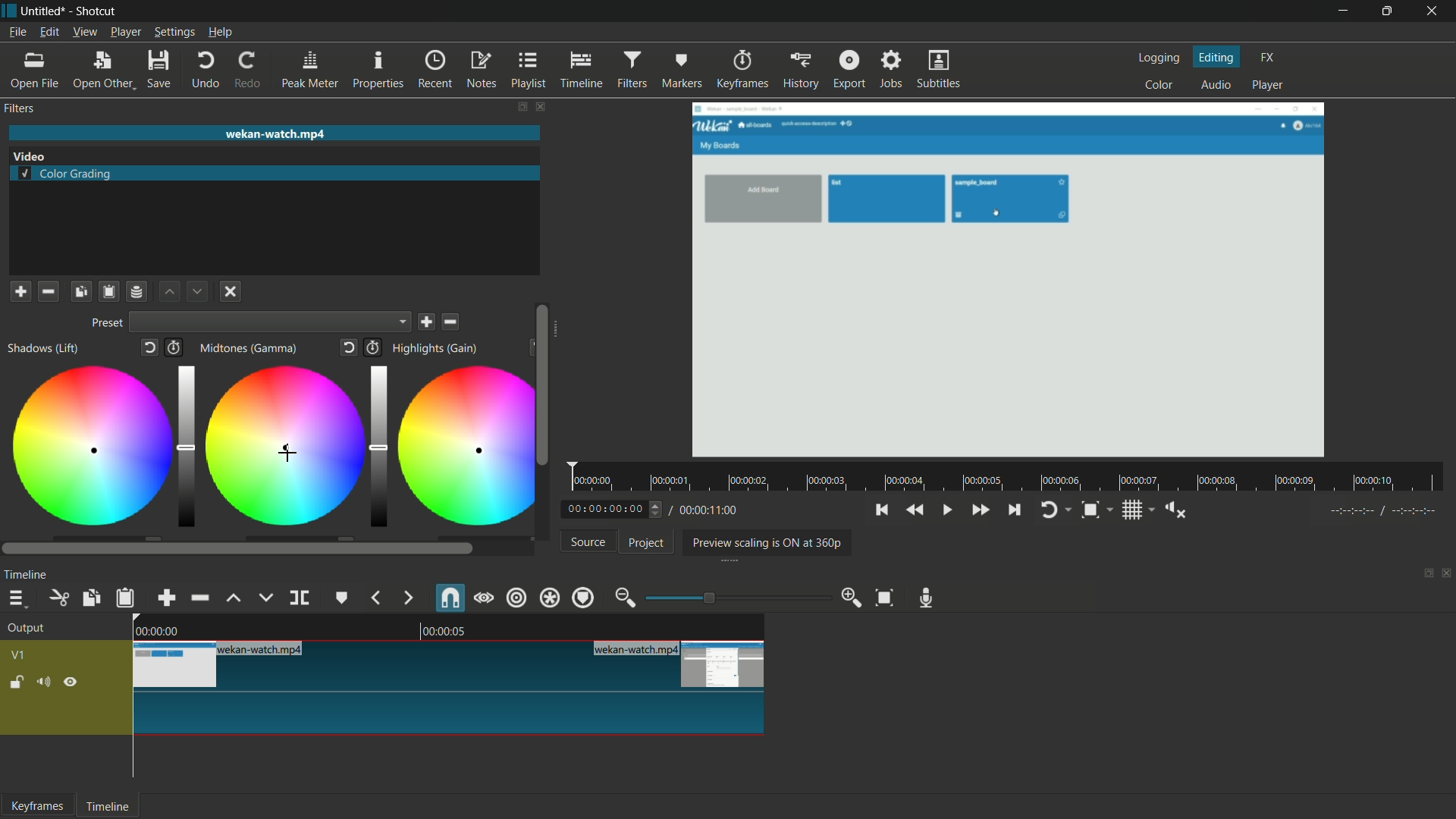 The width and height of the screenshot is (1456, 819). What do you see at coordinates (1391, 513) in the screenshot?
I see `----:-- /` at bounding box center [1391, 513].